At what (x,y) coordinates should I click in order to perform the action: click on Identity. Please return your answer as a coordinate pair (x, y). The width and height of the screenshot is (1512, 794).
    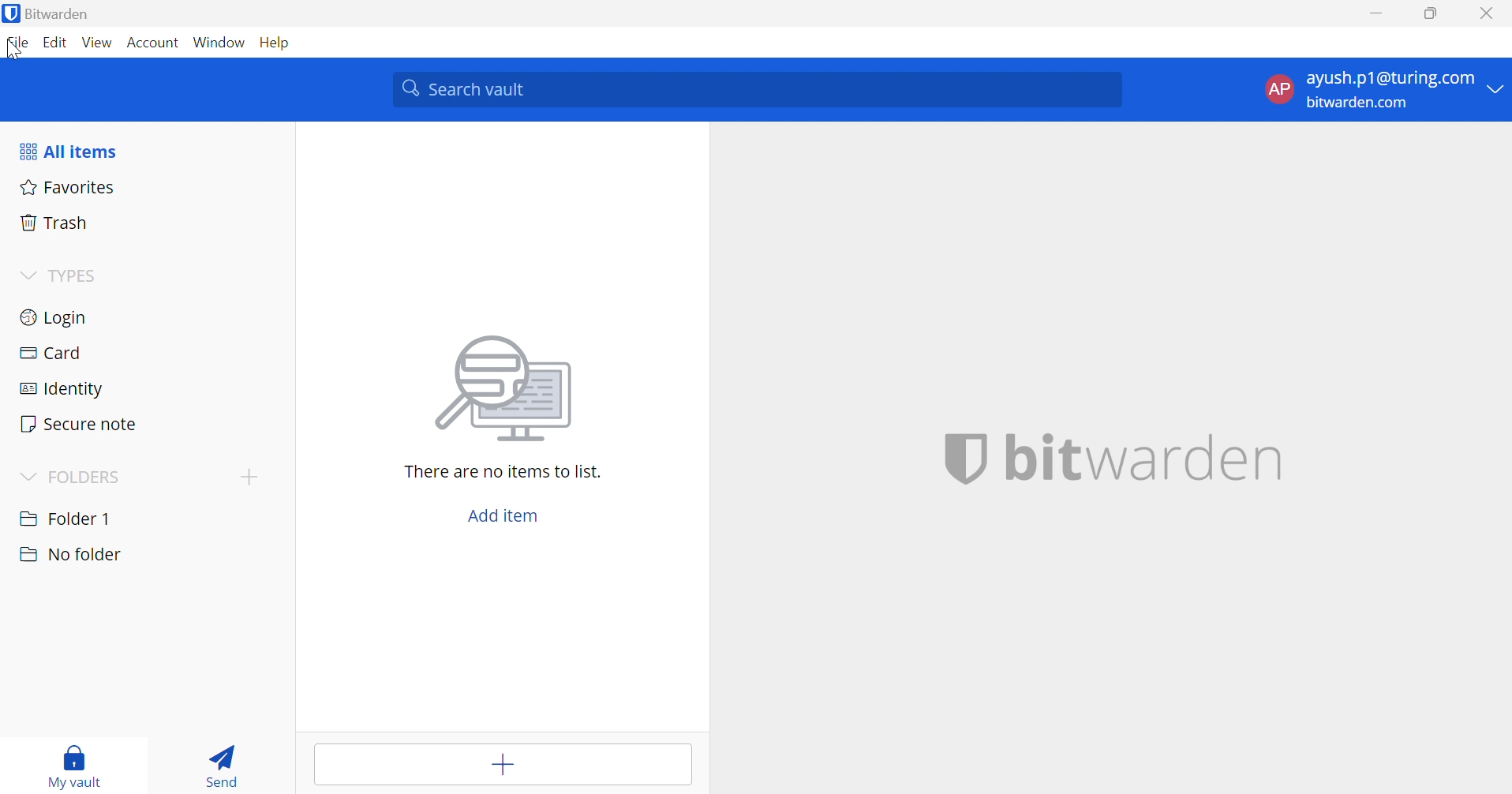
    Looking at the image, I should click on (60, 389).